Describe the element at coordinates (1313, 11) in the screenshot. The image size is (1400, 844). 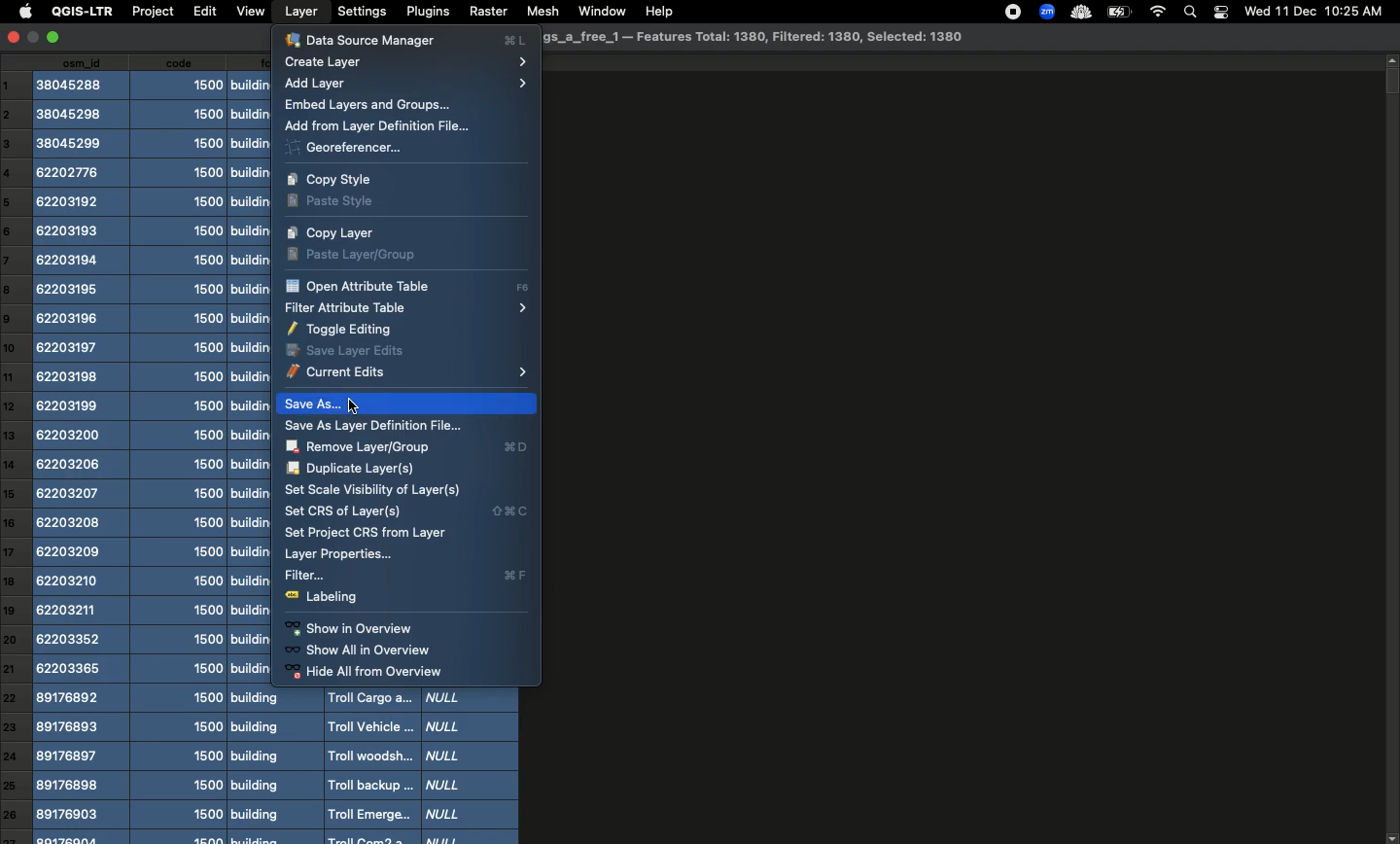
I see `Date time` at that location.